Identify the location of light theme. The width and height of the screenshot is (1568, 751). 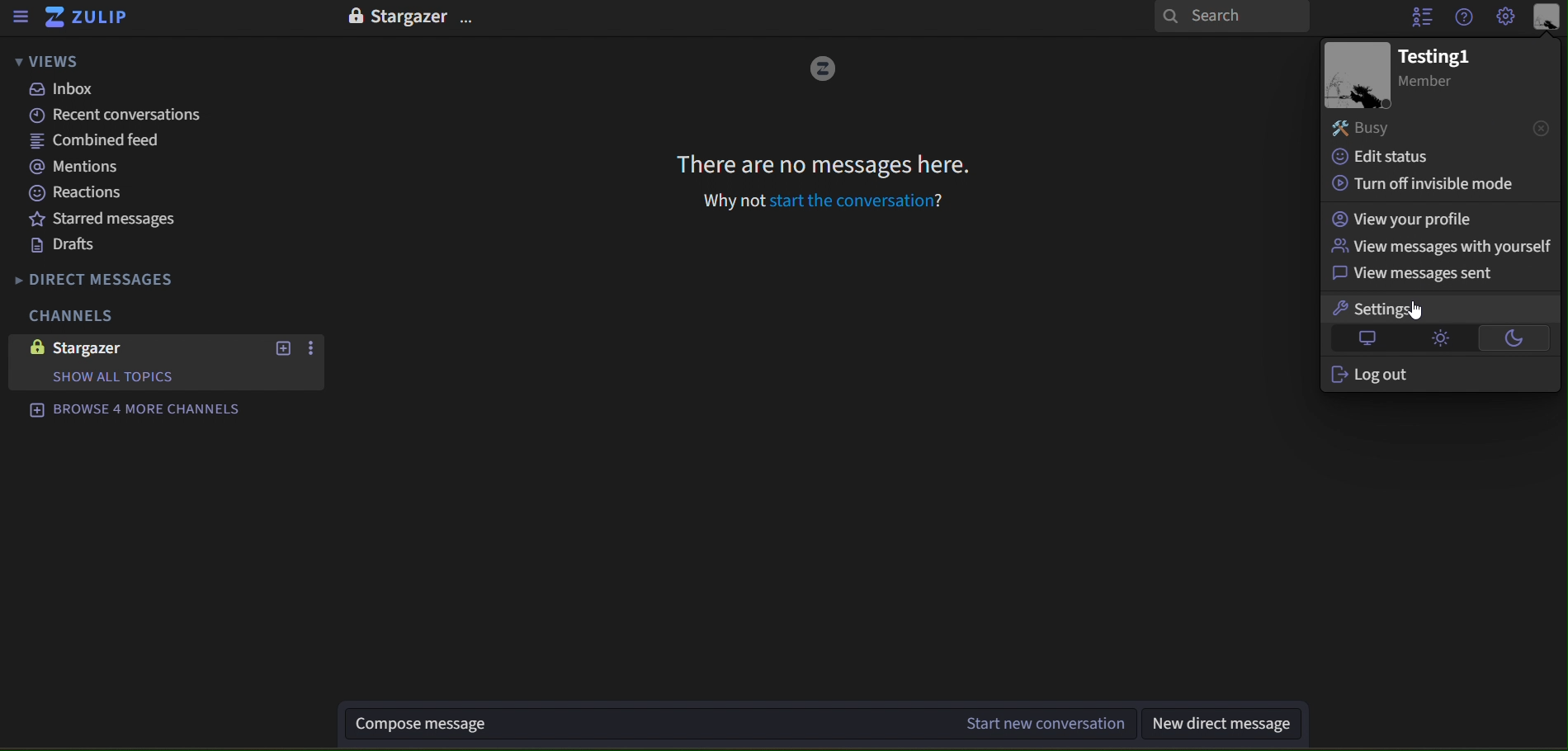
(1436, 338).